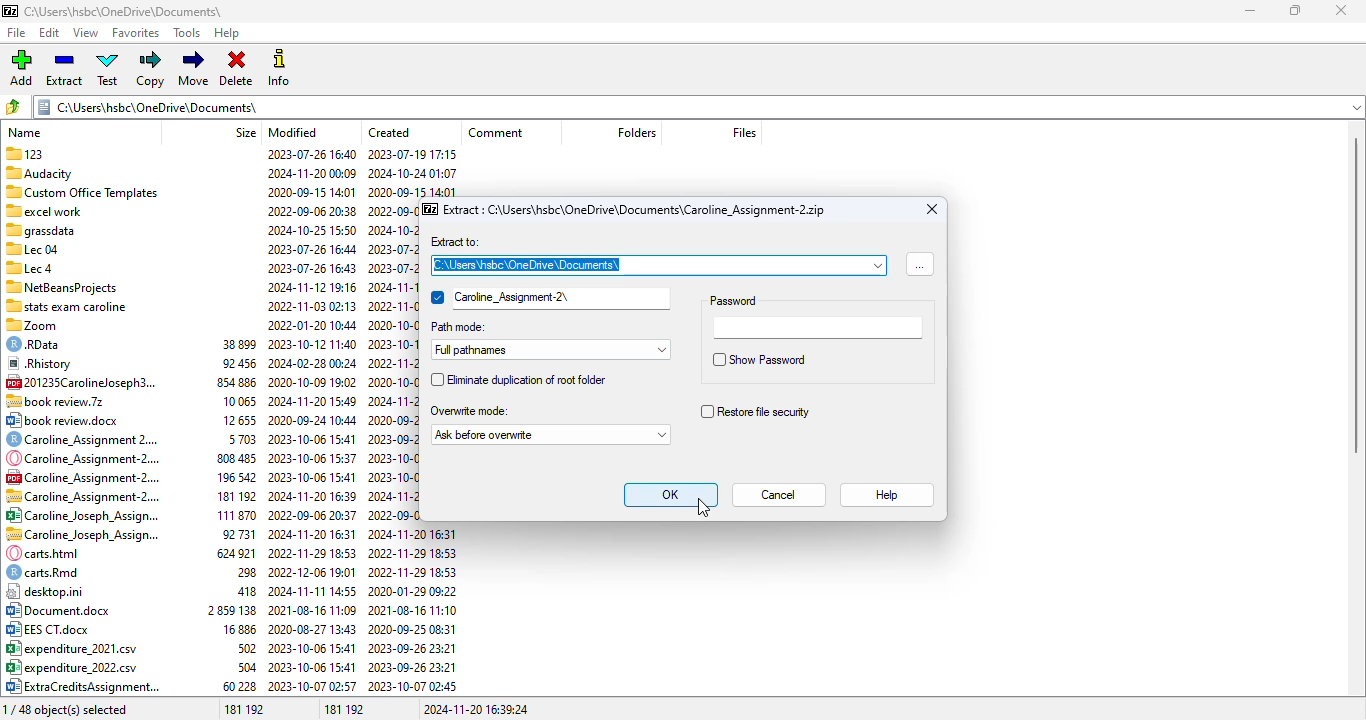 The height and width of the screenshot is (720, 1366). What do you see at coordinates (932, 209) in the screenshot?
I see `close` at bounding box center [932, 209].